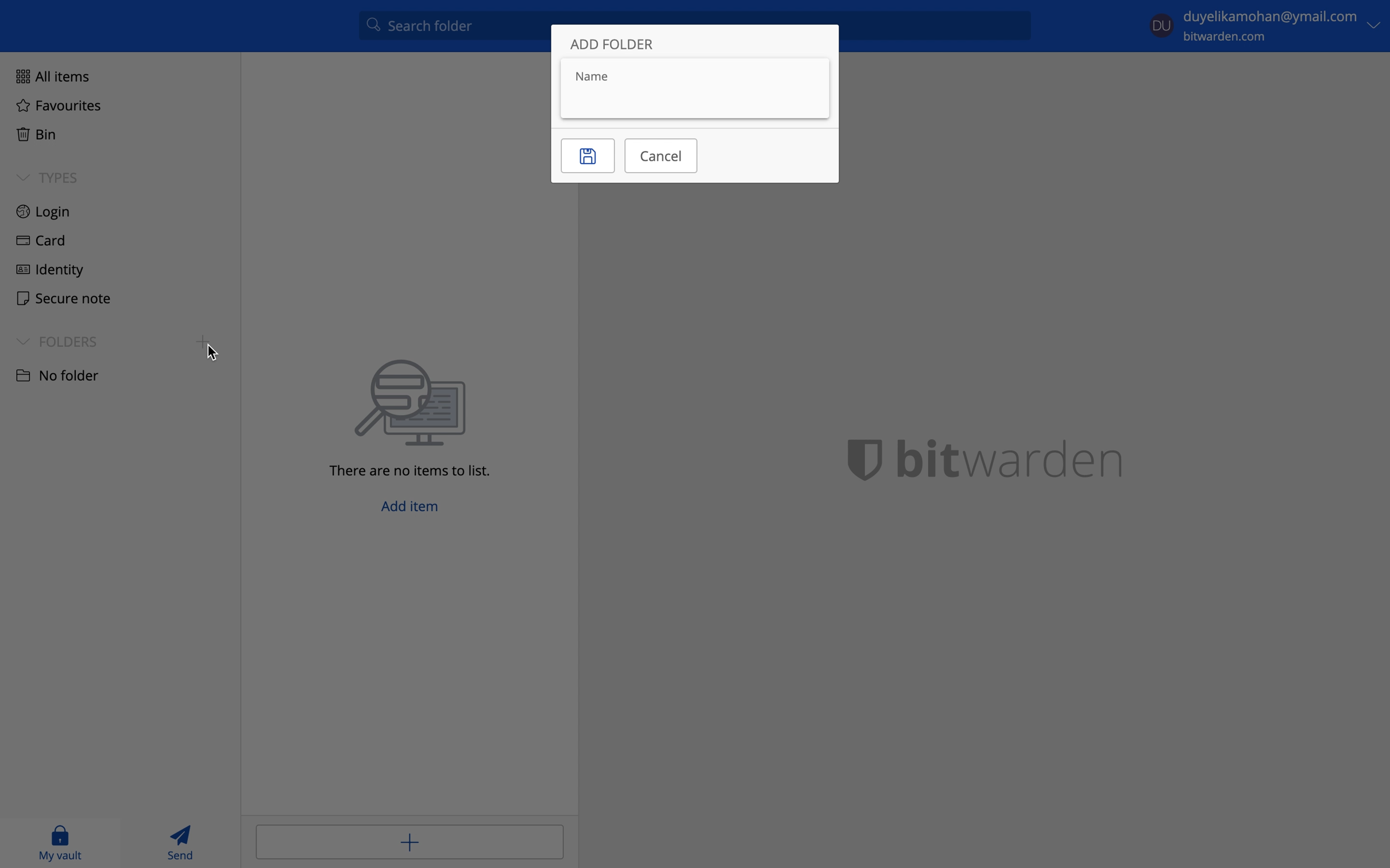 The width and height of the screenshot is (1390, 868). Describe the element at coordinates (183, 842) in the screenshot. I see `send` at that location.